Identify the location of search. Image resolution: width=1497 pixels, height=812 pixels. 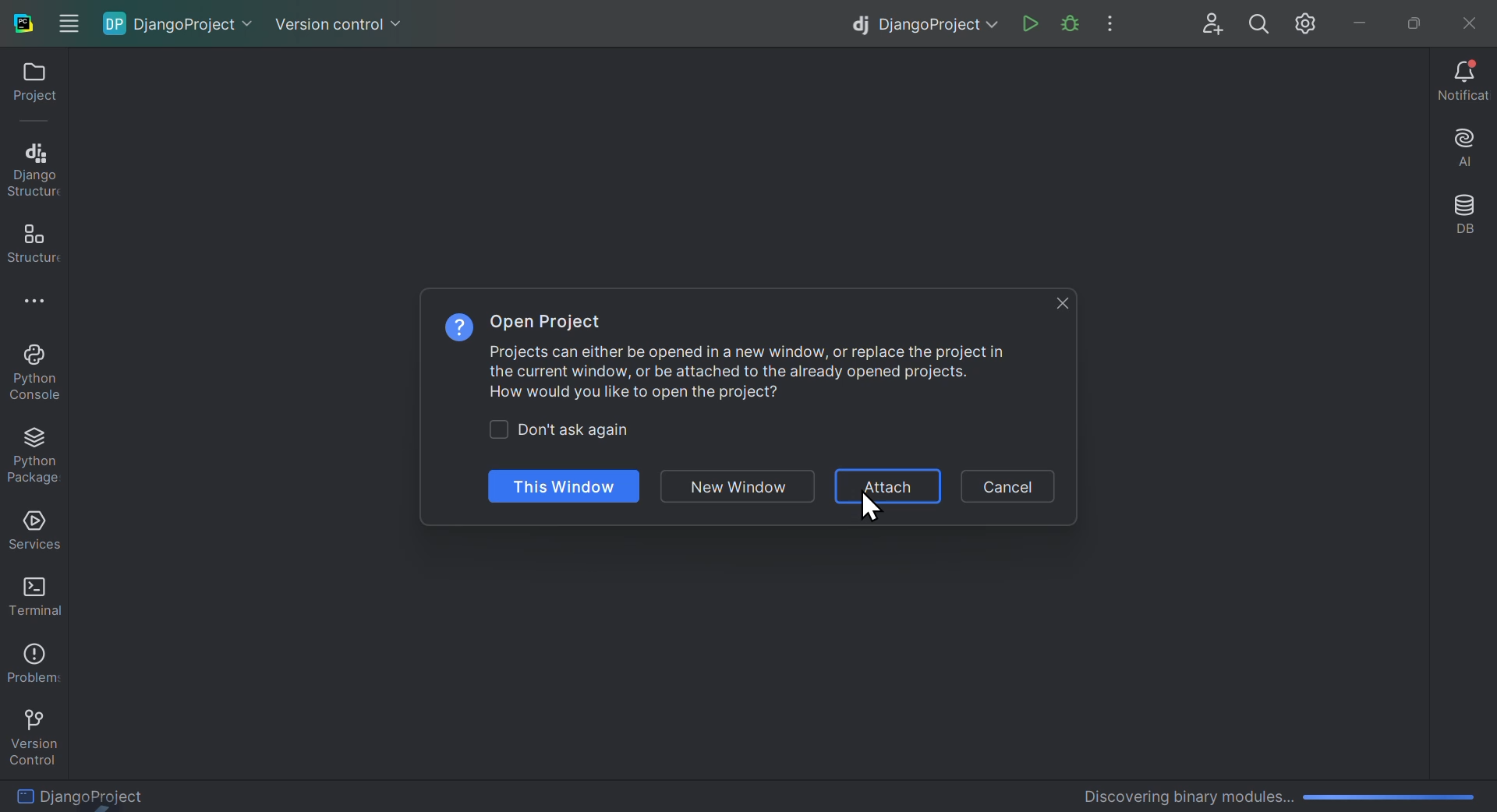
(1260, 24).